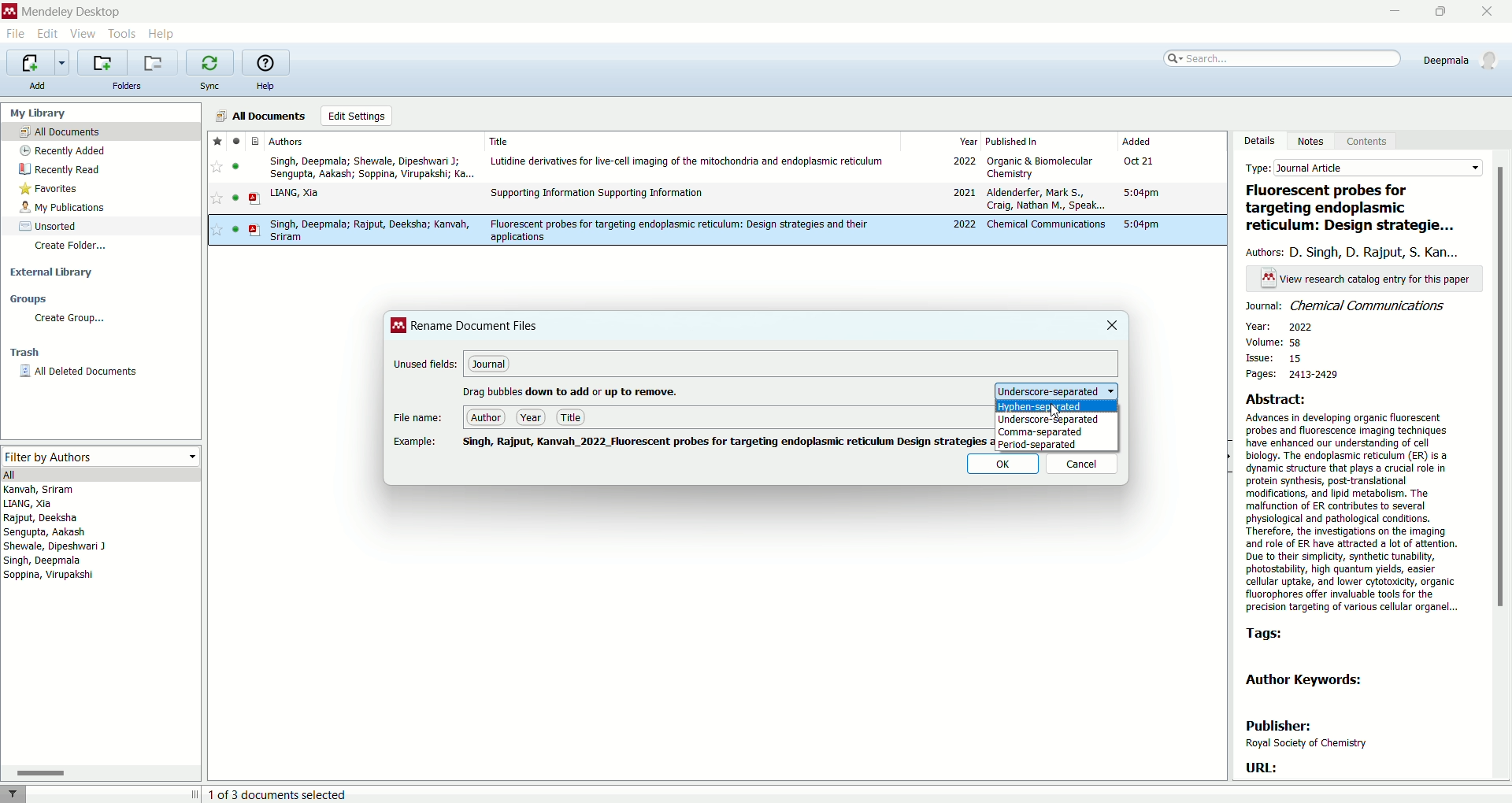 The image size is (1512, 803). I want to click on document, so click(254, 198).